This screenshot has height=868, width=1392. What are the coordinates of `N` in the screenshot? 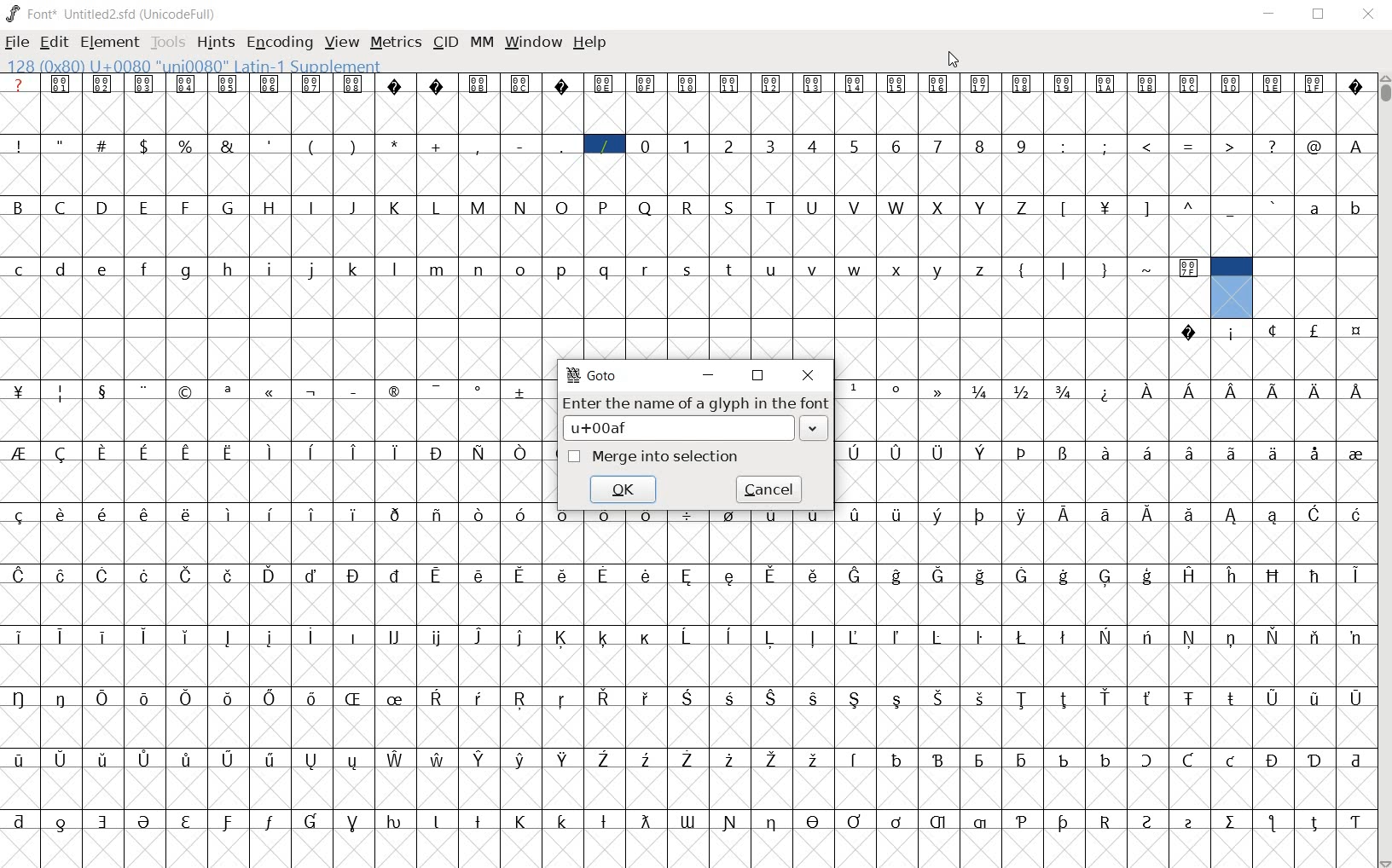 It's located at (523, 207).